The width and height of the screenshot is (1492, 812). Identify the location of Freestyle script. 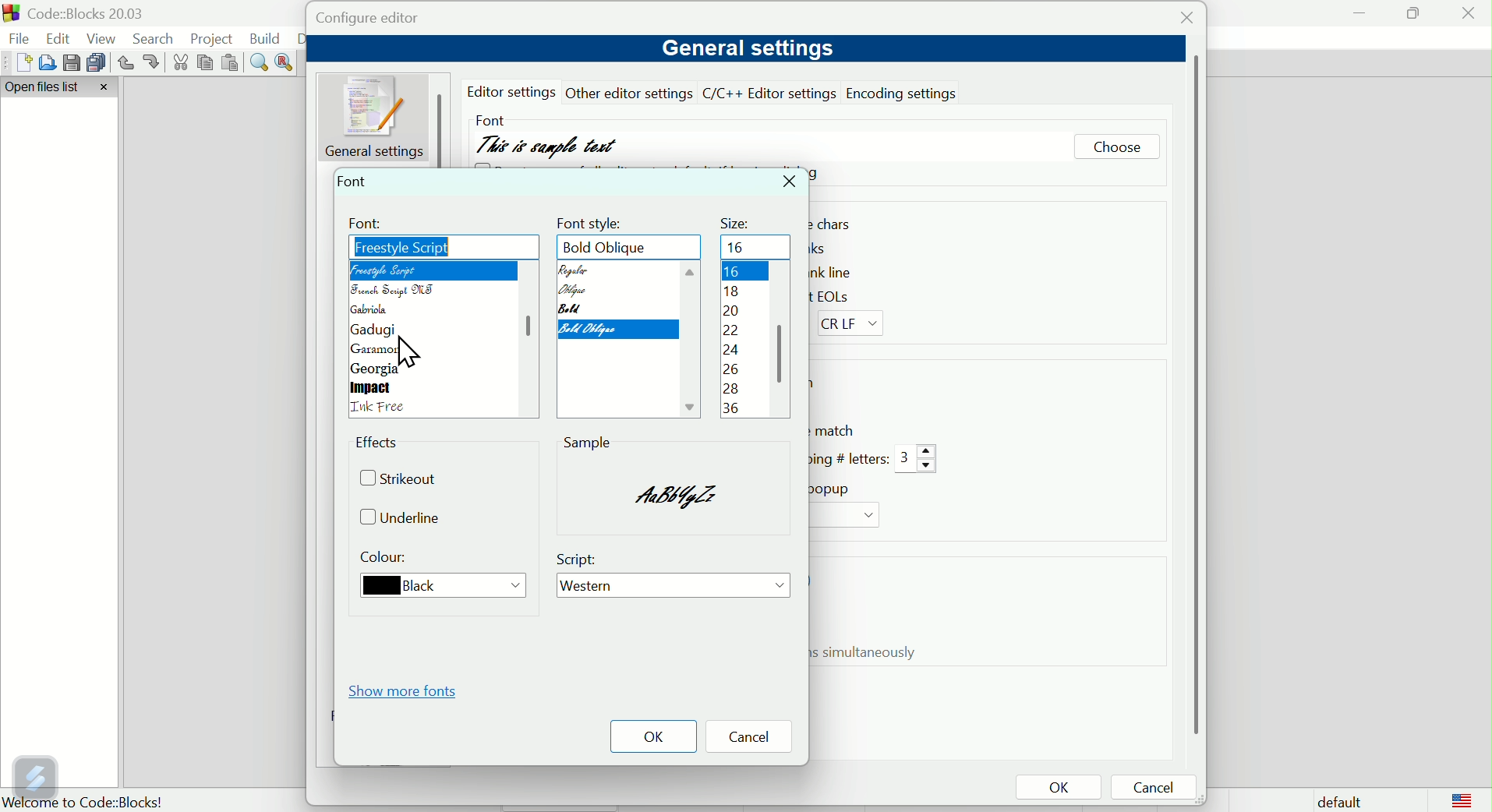
(403, 247).